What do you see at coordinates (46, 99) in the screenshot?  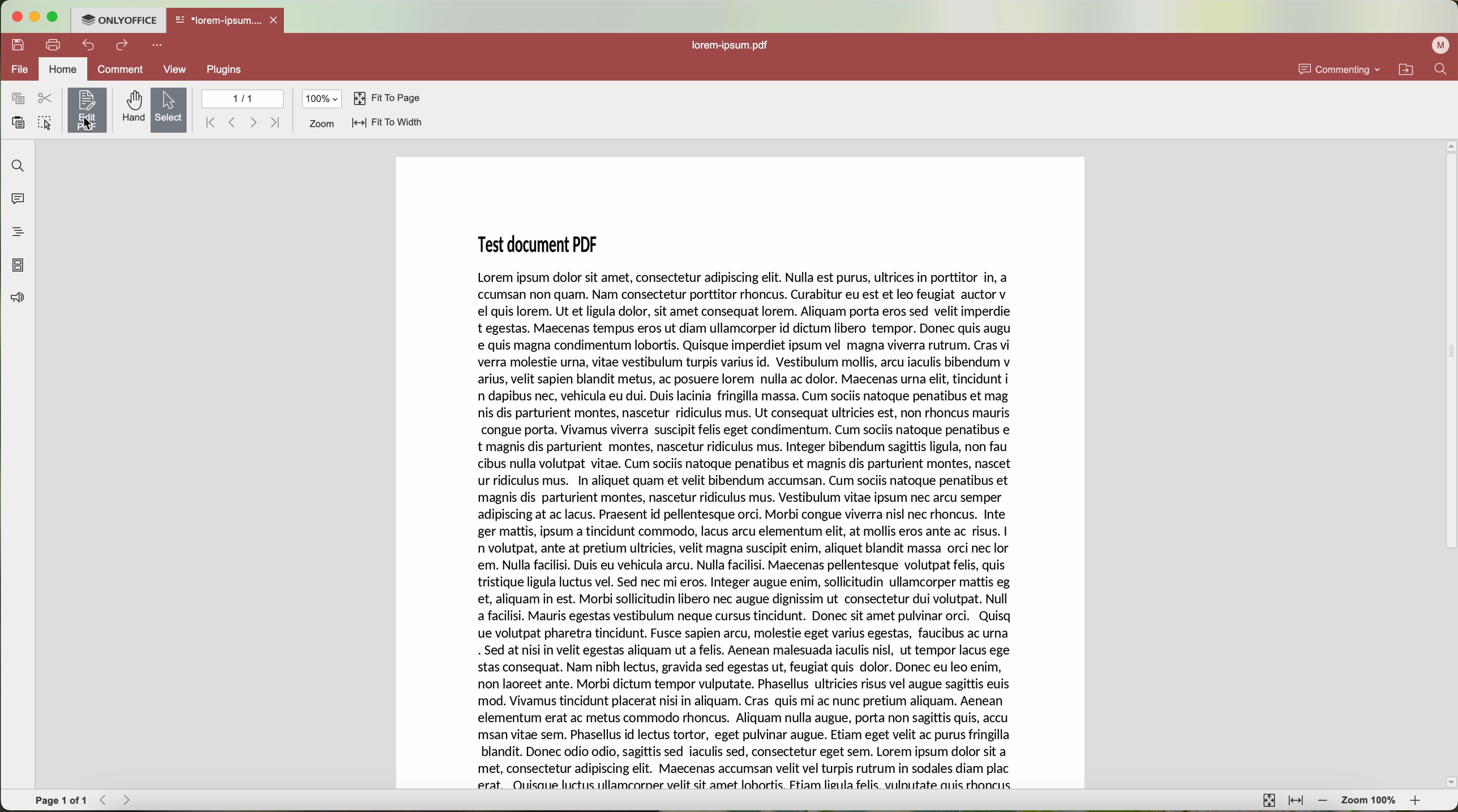 I see `cut` at bounding box center [46, 99].